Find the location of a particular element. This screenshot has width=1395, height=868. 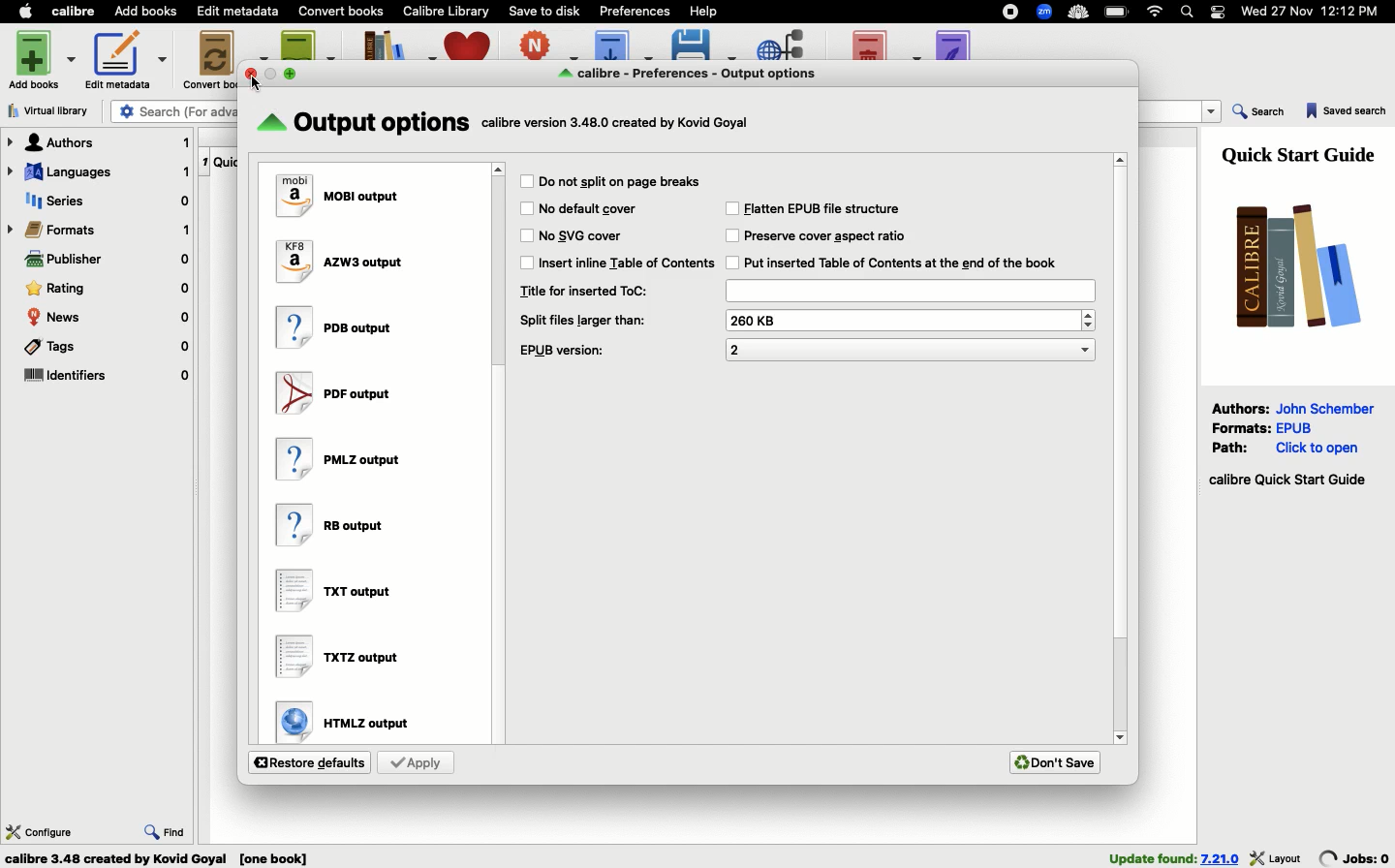

Output options is located at coordinates (698, 74).